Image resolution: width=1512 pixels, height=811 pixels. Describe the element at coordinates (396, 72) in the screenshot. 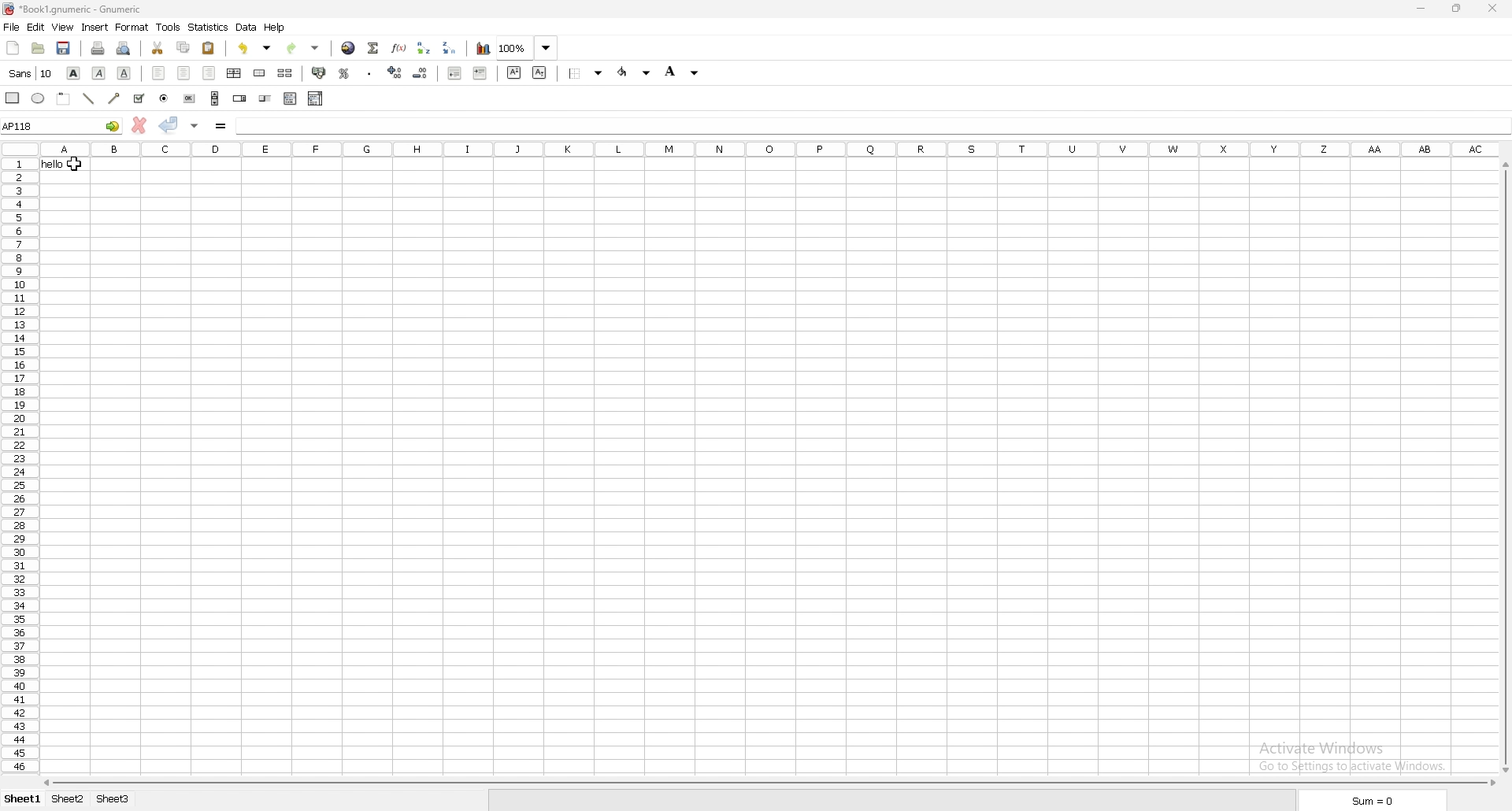

I see `increase decimals` at that location.